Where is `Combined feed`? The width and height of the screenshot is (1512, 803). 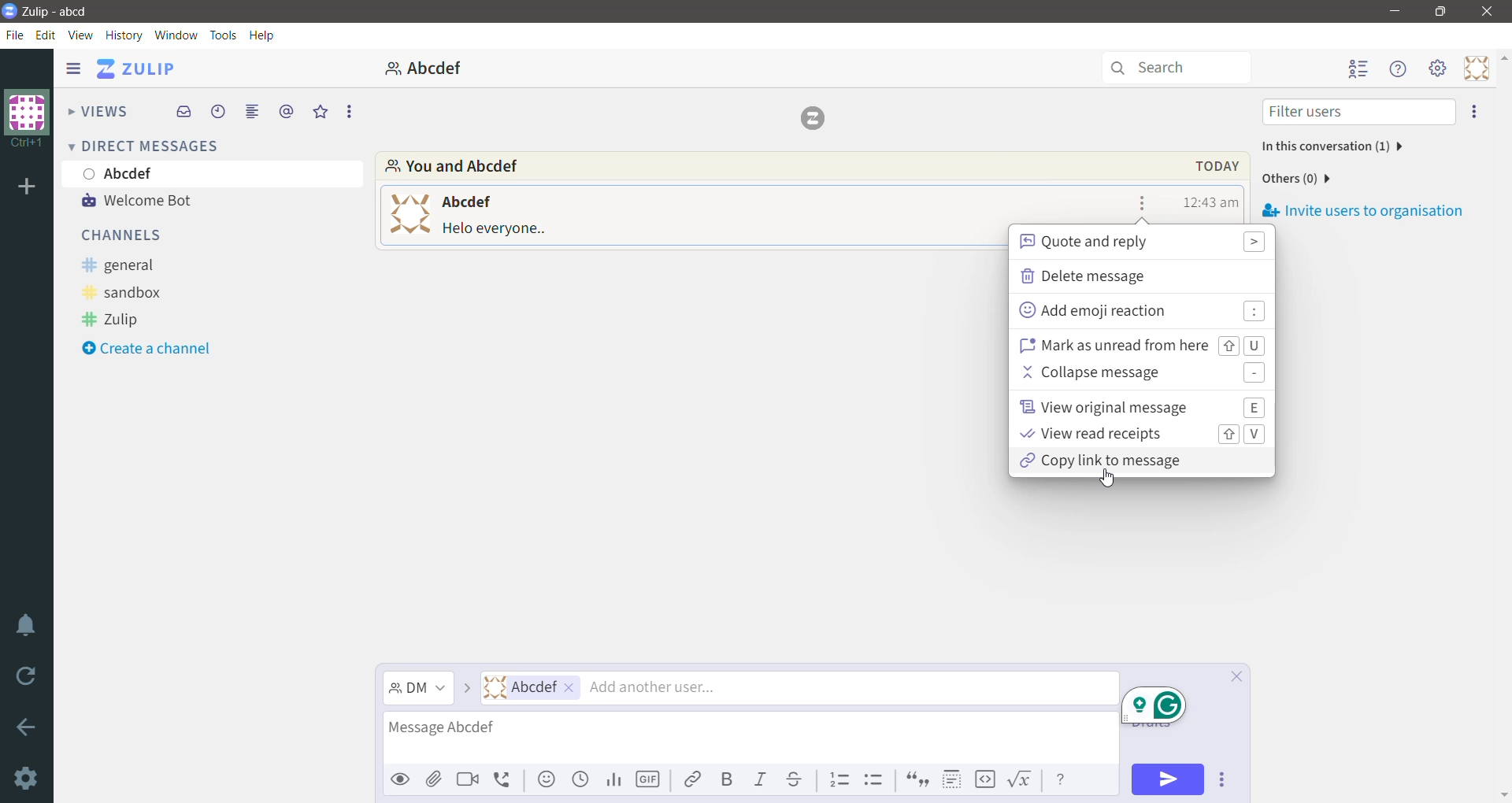
Combined feed is located at coordinates (252, 112).